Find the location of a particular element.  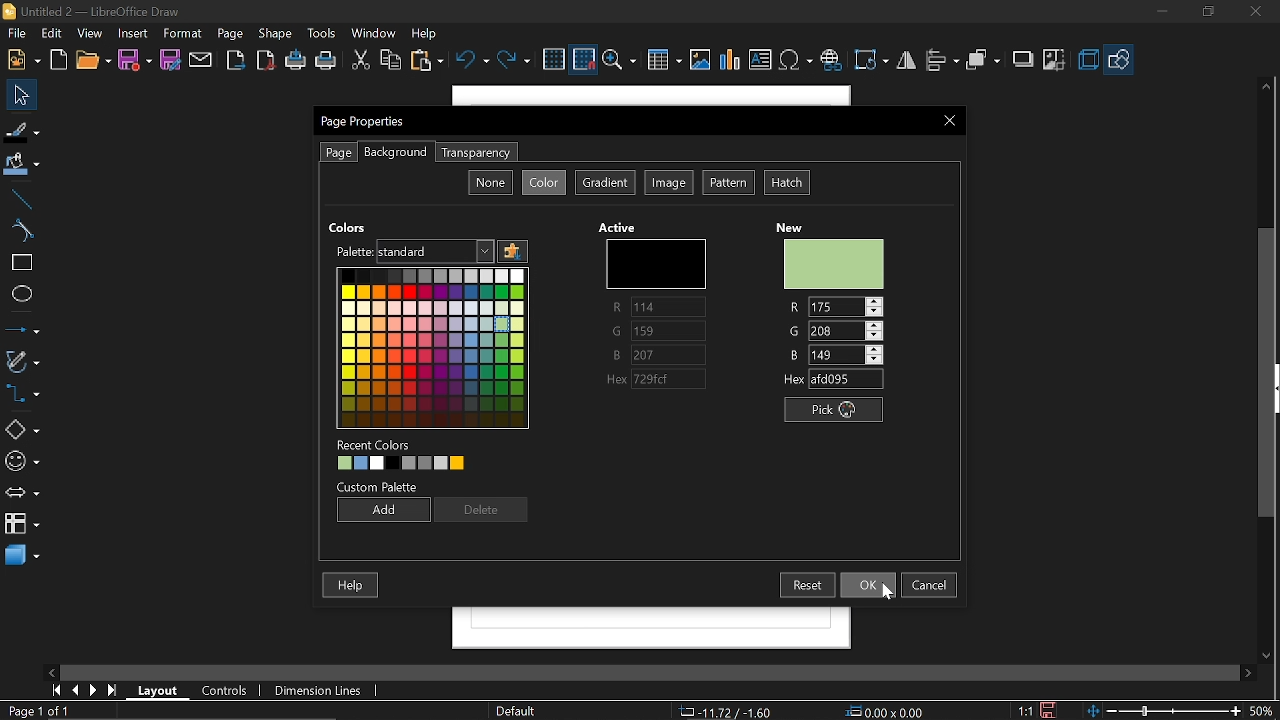

Insert table is located at coordinates (662, 61).